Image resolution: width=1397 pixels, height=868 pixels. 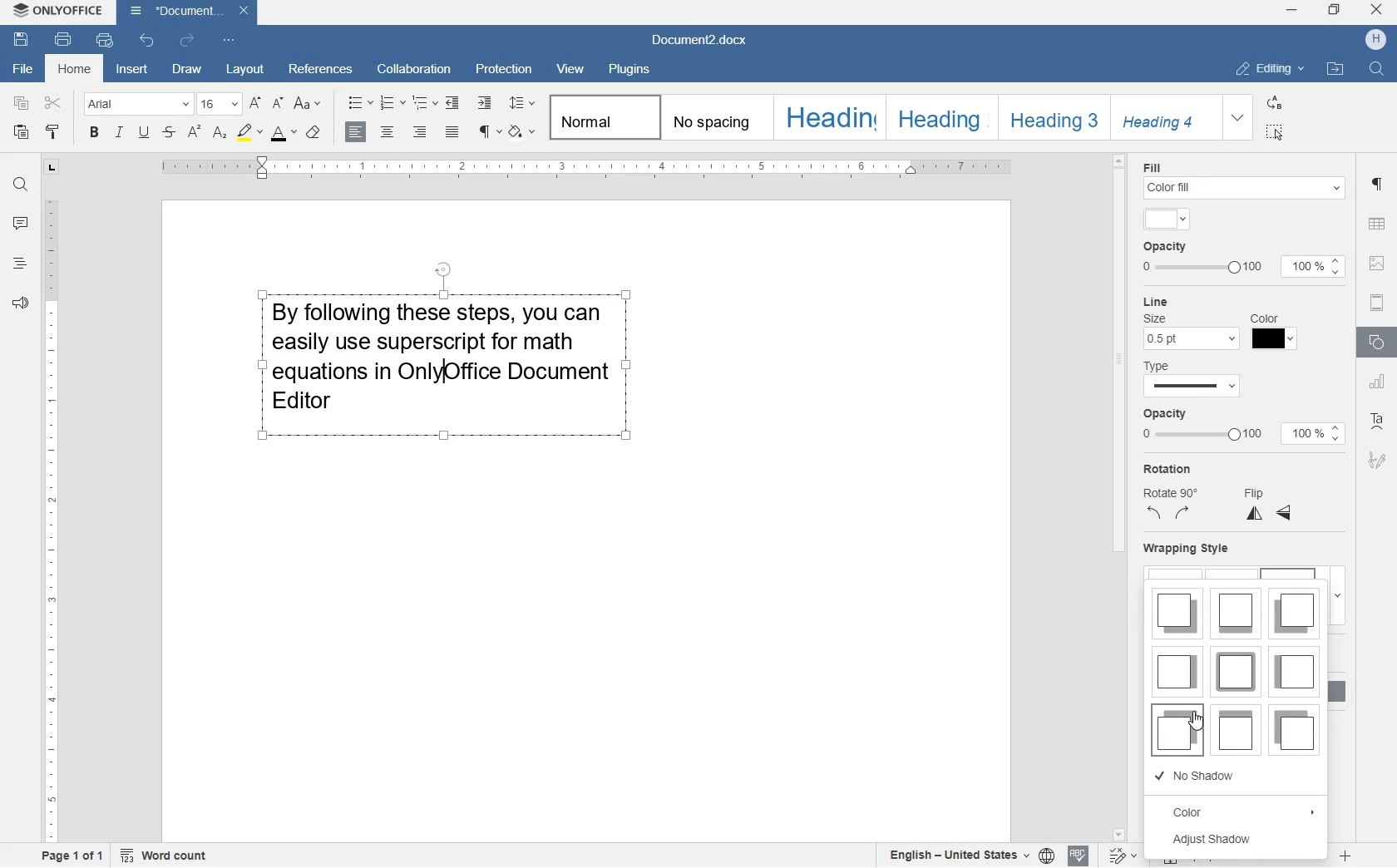 I want to click on right alignment, so click(x=420, y=133).